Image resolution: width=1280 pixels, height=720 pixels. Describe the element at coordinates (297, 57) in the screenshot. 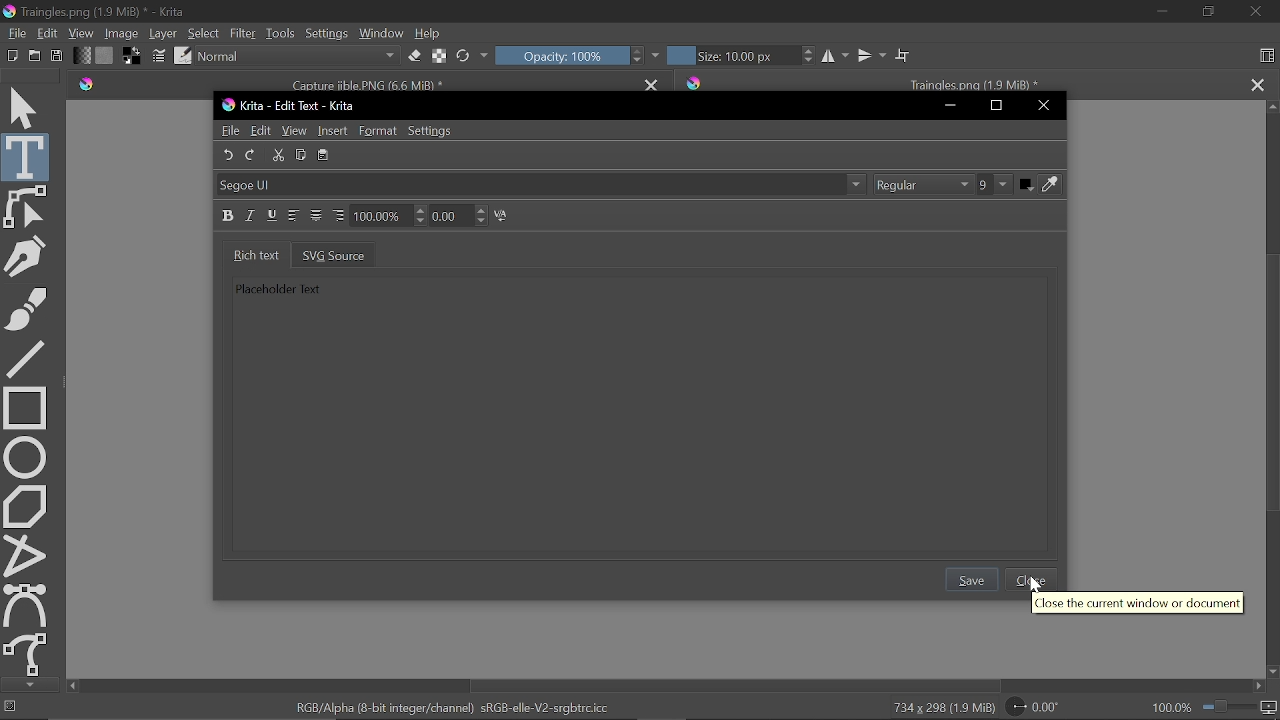

I see `Blending` at that location.